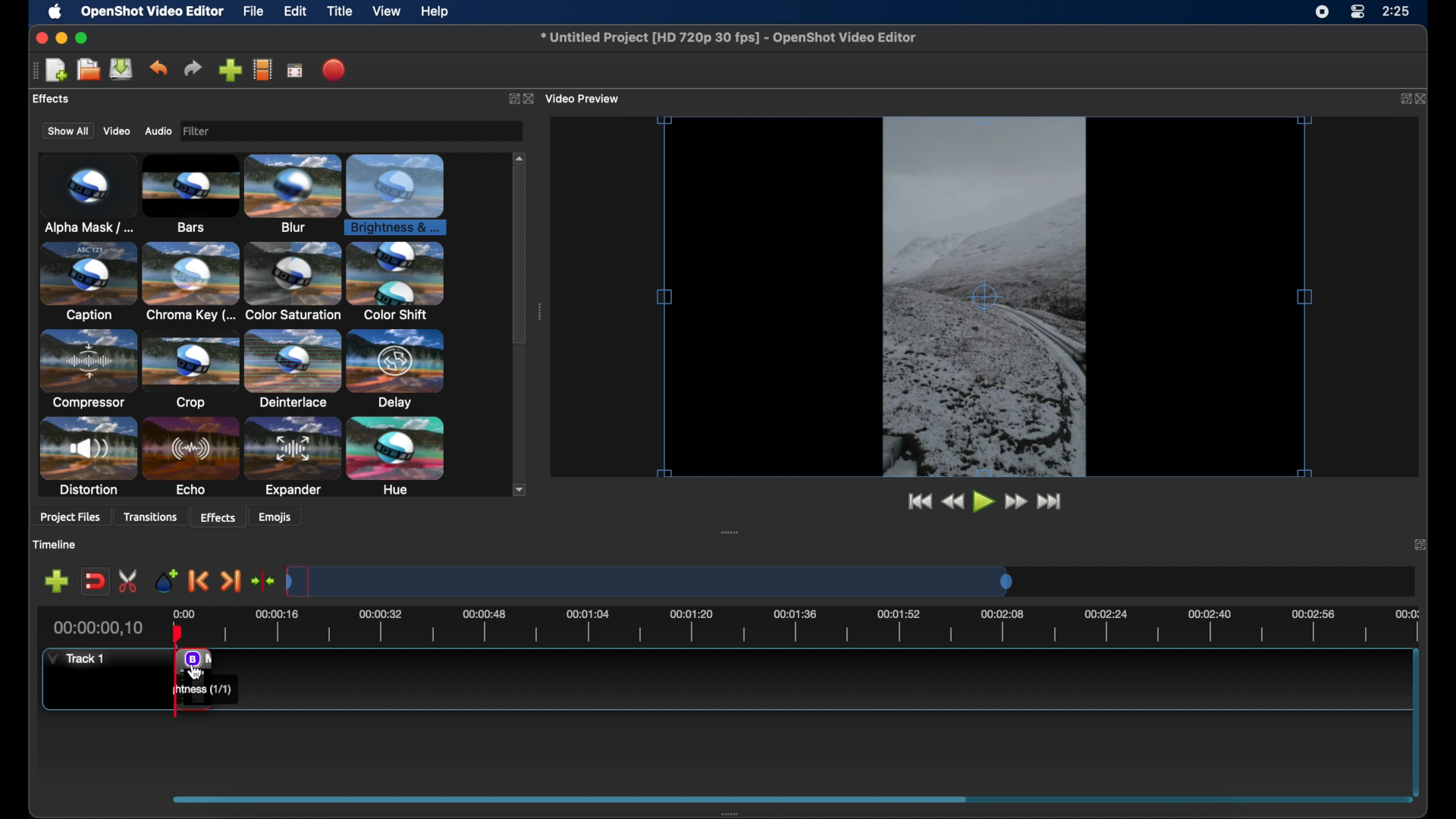  Describe the element at coordinates (277, 517) in the screenshot. I see `emojis` at that location.